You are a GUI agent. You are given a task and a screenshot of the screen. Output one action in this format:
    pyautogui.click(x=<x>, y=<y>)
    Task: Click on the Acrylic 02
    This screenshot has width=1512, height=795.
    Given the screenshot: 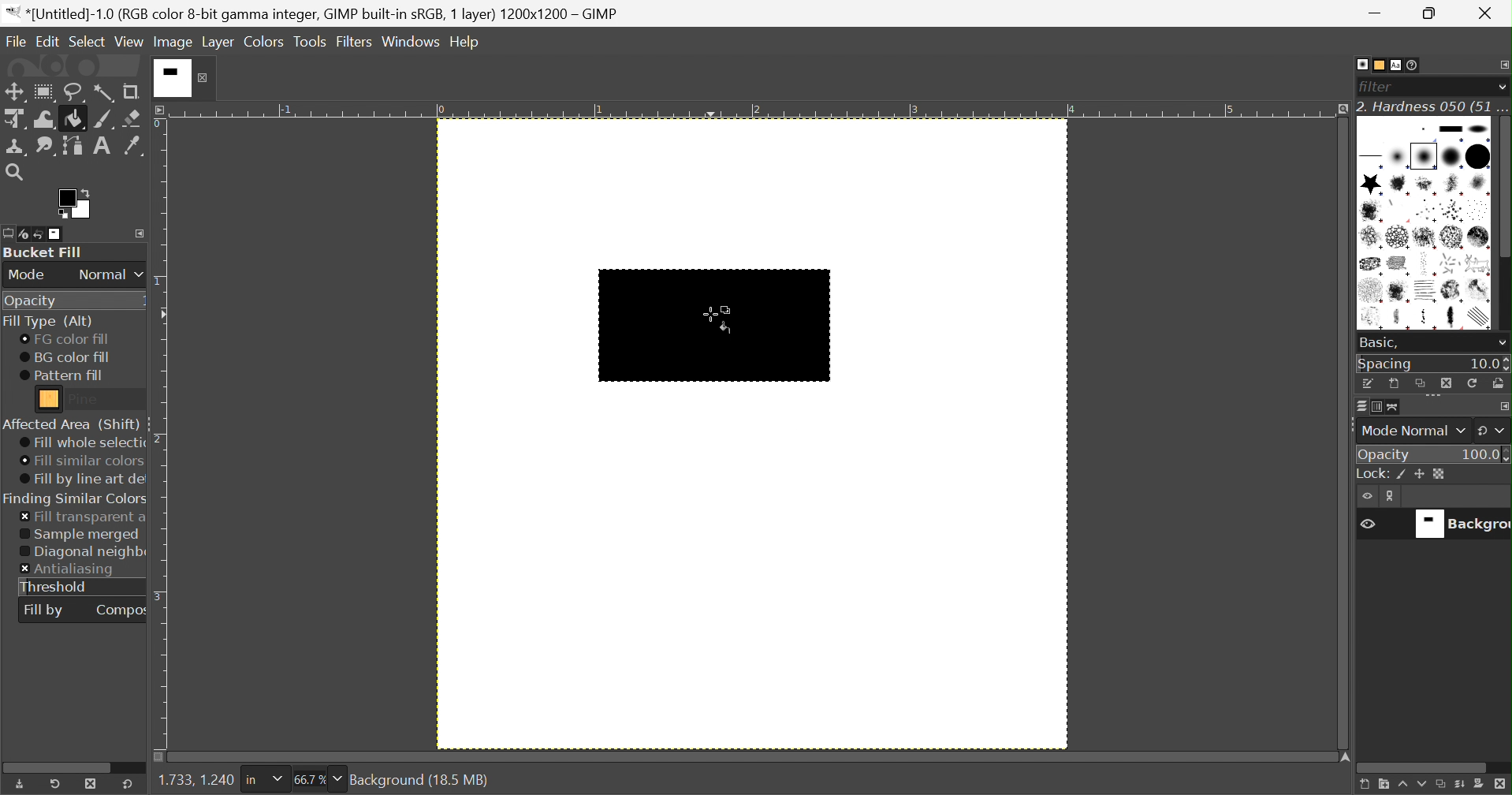 What is the action you would take?
    pyautogui.click(x=1425, y=185)
    